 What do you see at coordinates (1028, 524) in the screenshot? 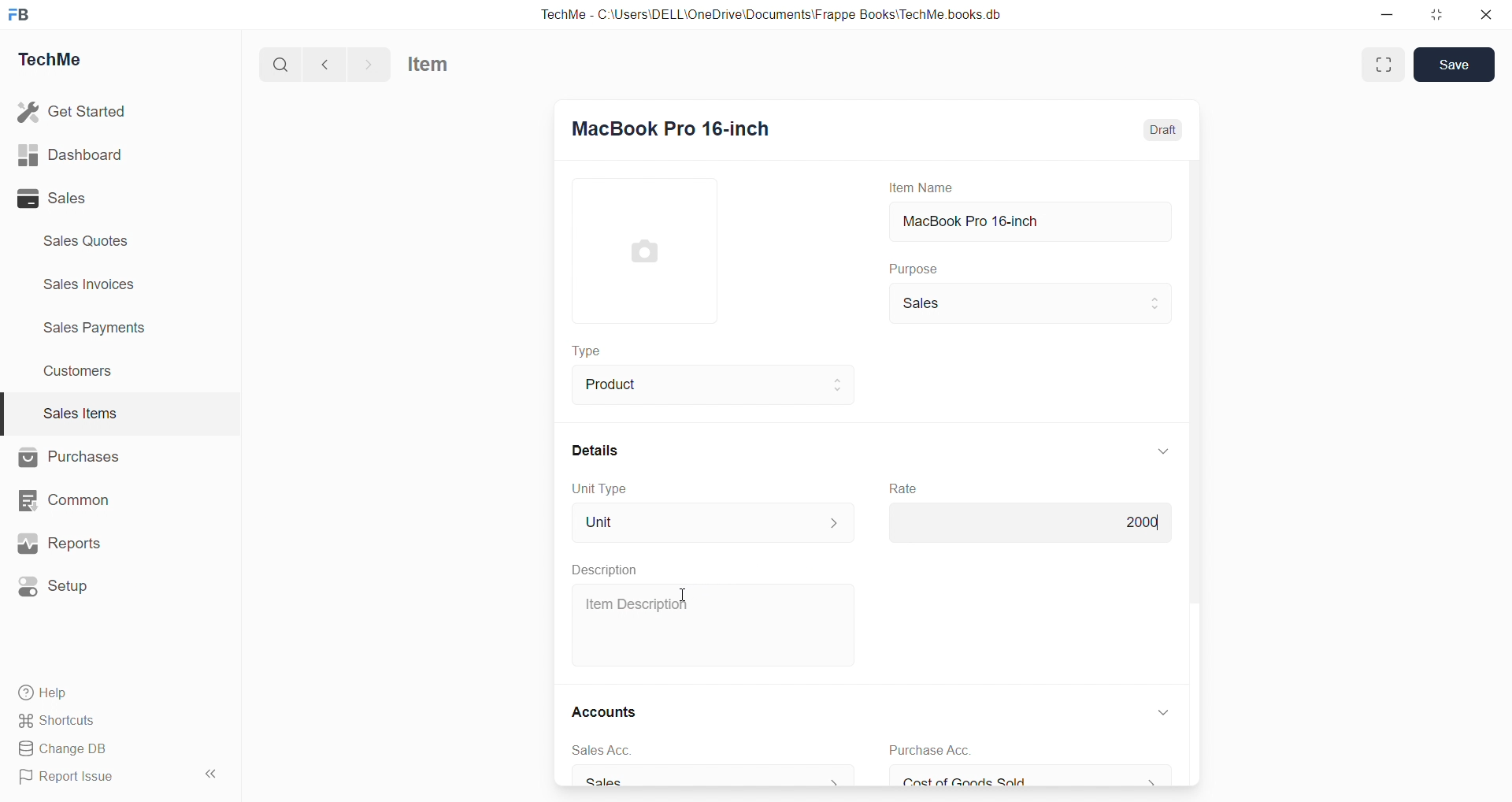
I see `2000` at bounding box center [1028, 524].